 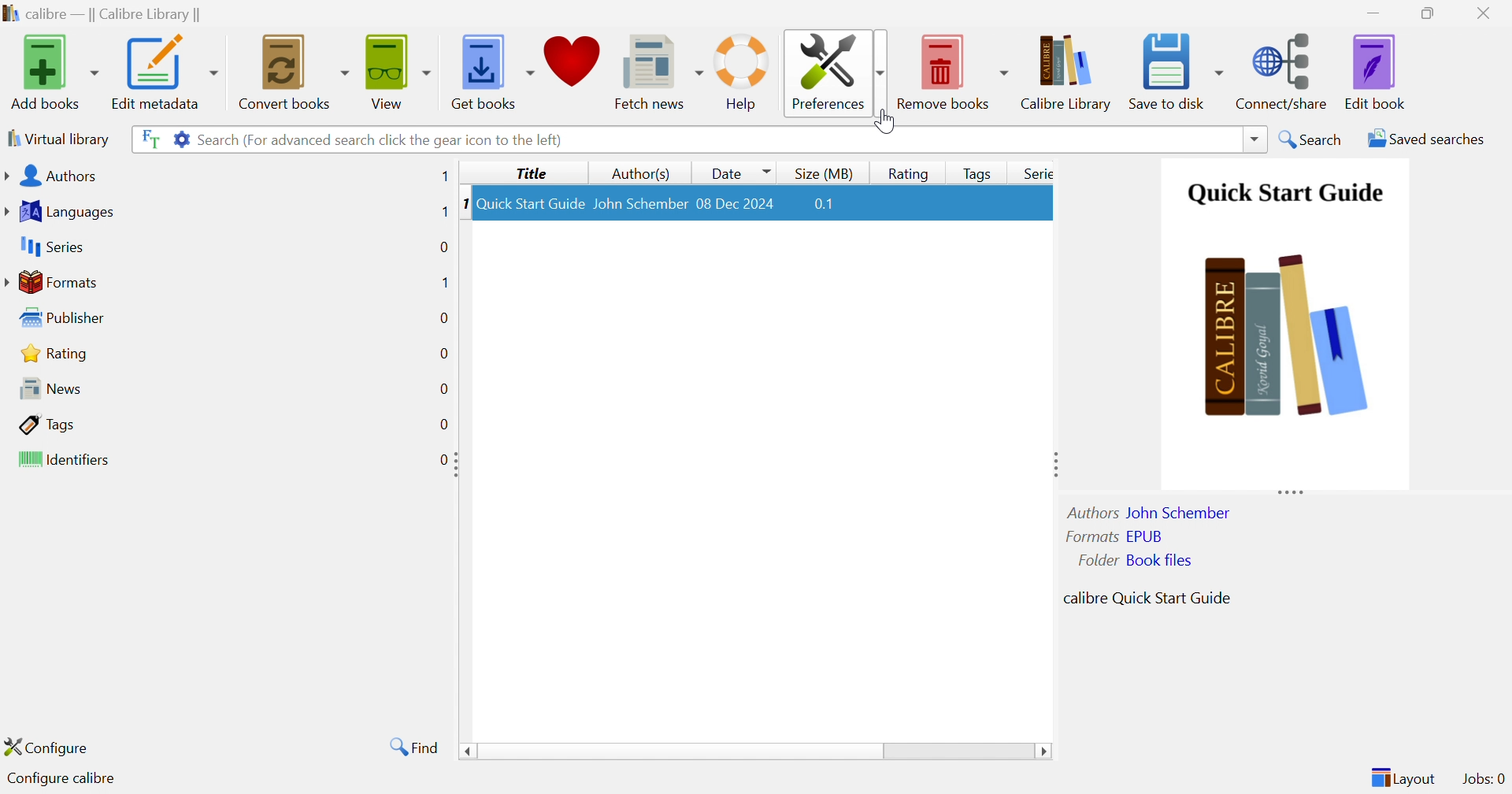 I want to click on 1, so click(x=440, y=212).